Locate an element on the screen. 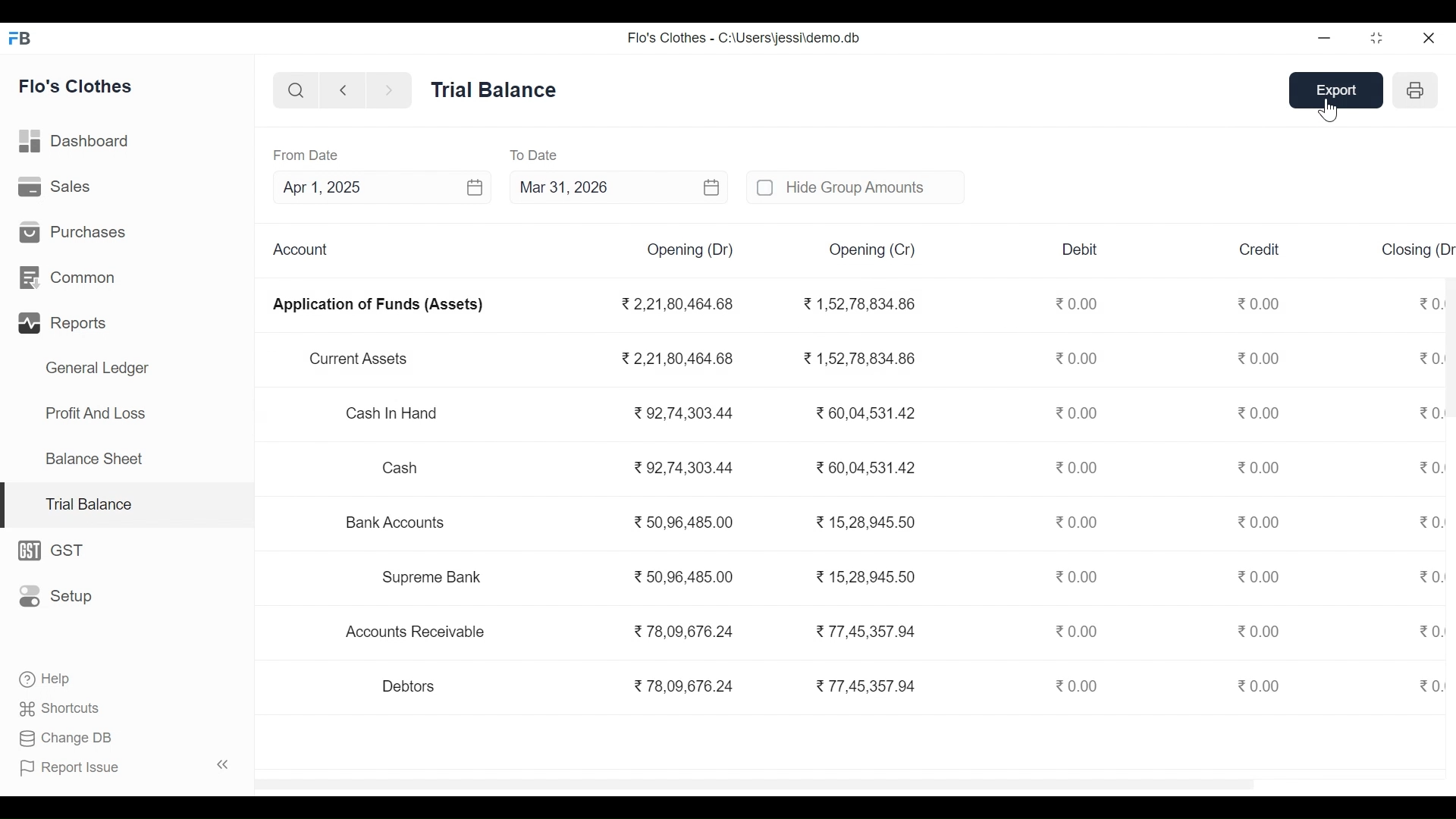 This screenshot has height=819, width=1456. Change DB is located at coordinates (69, 738).